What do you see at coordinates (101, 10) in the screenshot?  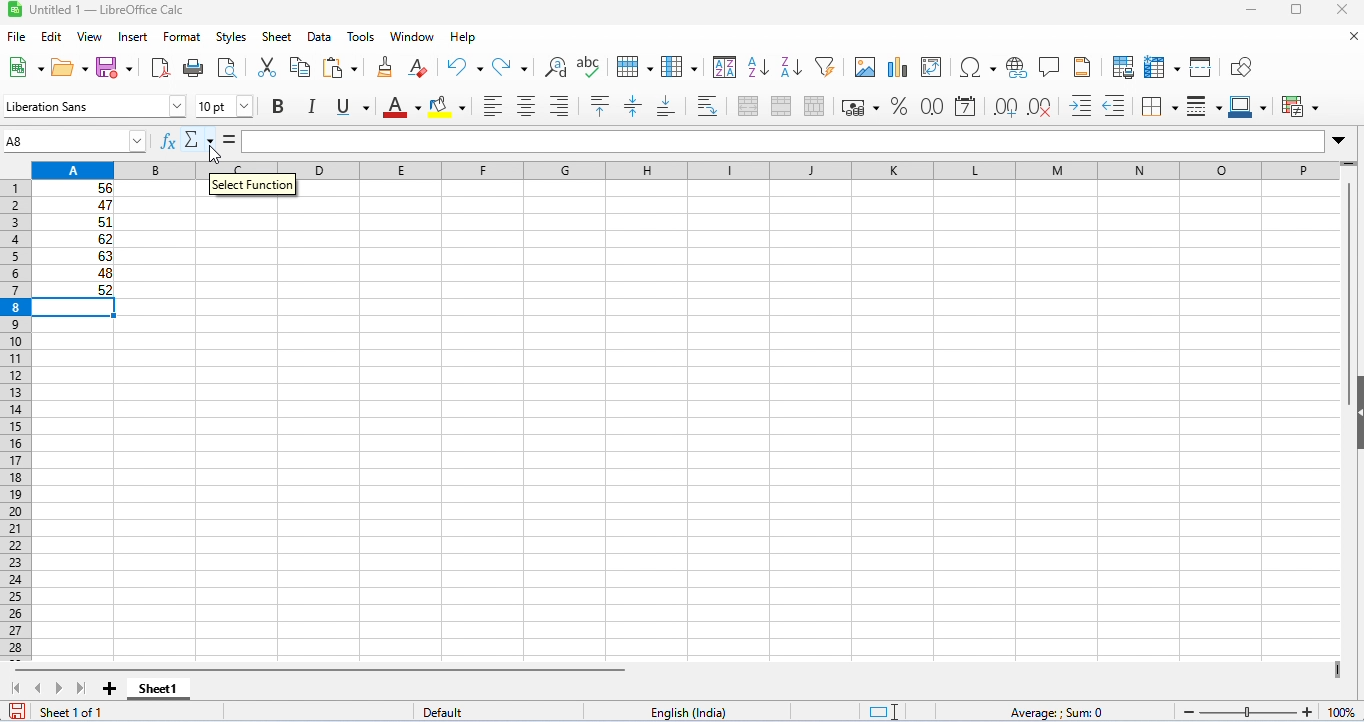 I see `title` at bounding box center [101, 10].